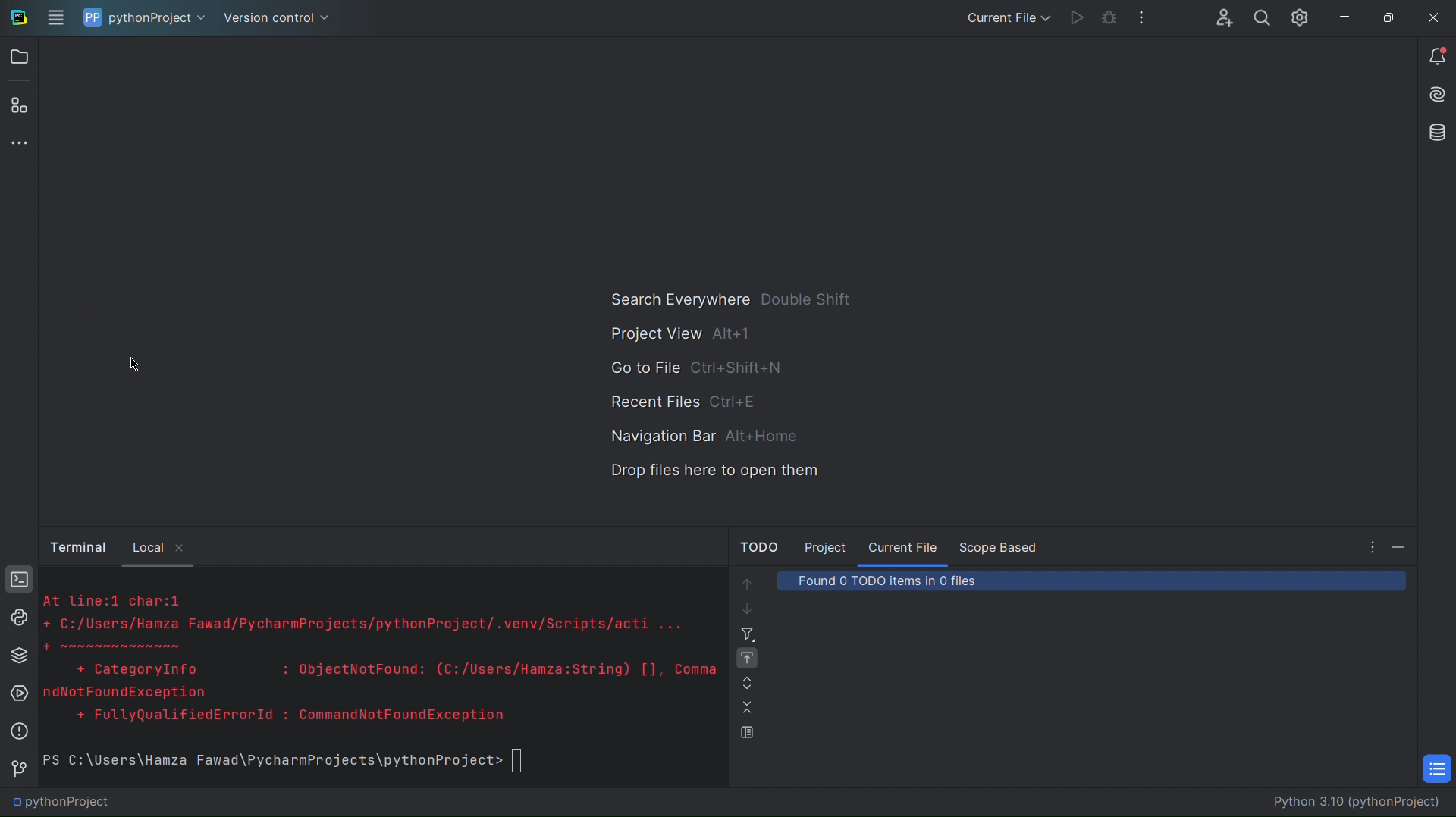  I want to click on Version Control, so click(17, 769).